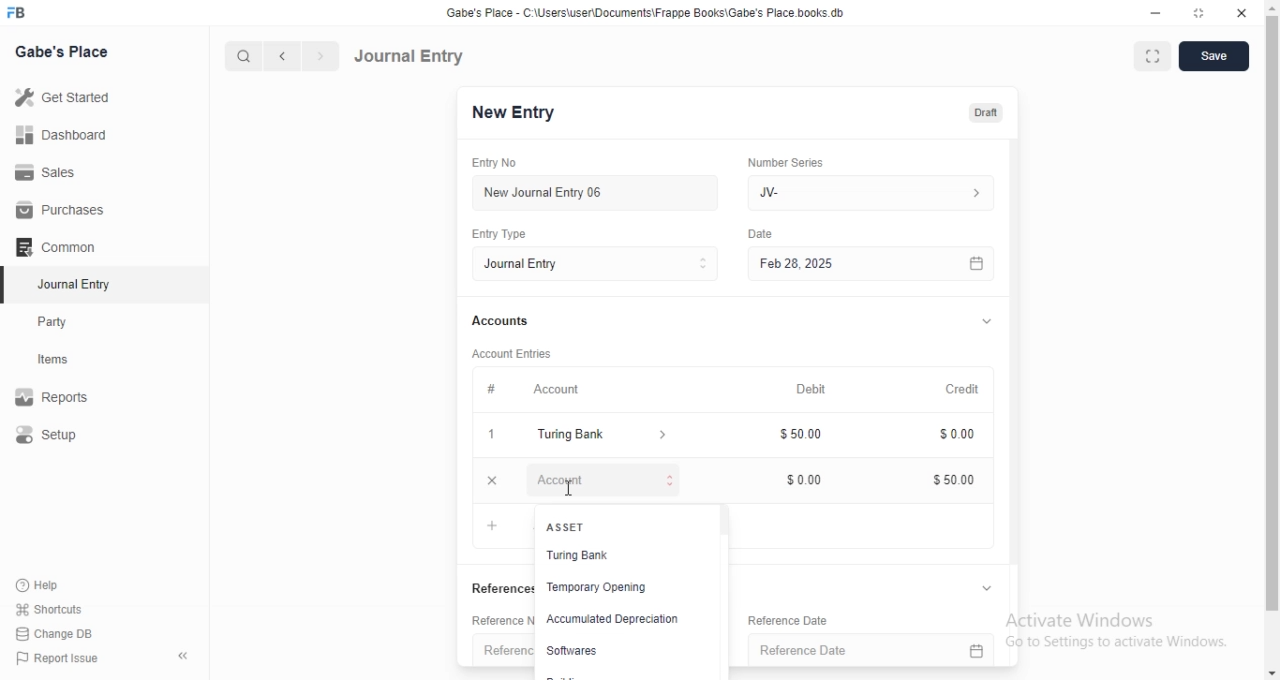 The height and width of the screenshot is (680, 1280). What do you see at coordinates (65, 286) in the screenshot?
I see `Journal Entry` at bounding box center [65, 286].